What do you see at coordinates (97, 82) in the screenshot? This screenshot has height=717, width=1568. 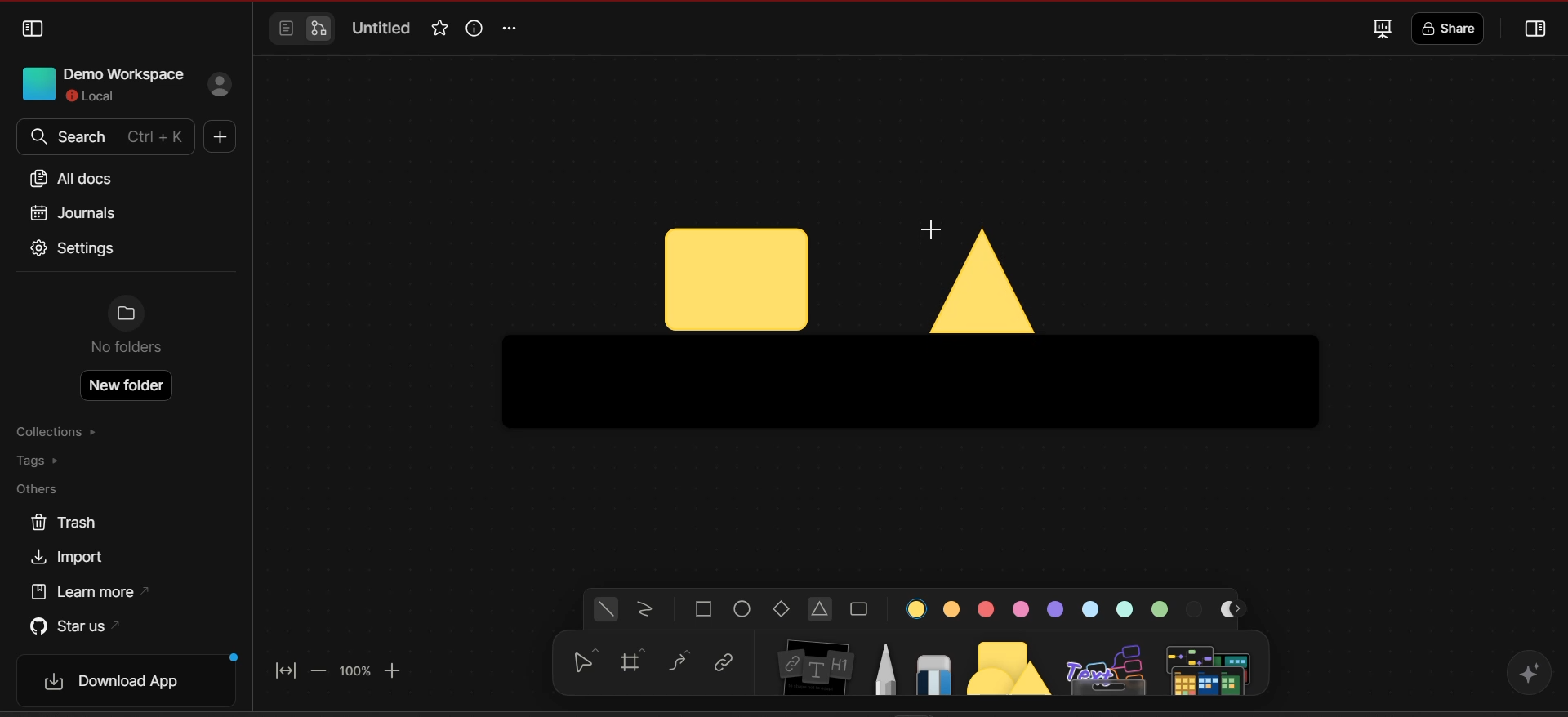 I see `Demo workspace local` at bounding box center [97, 82].